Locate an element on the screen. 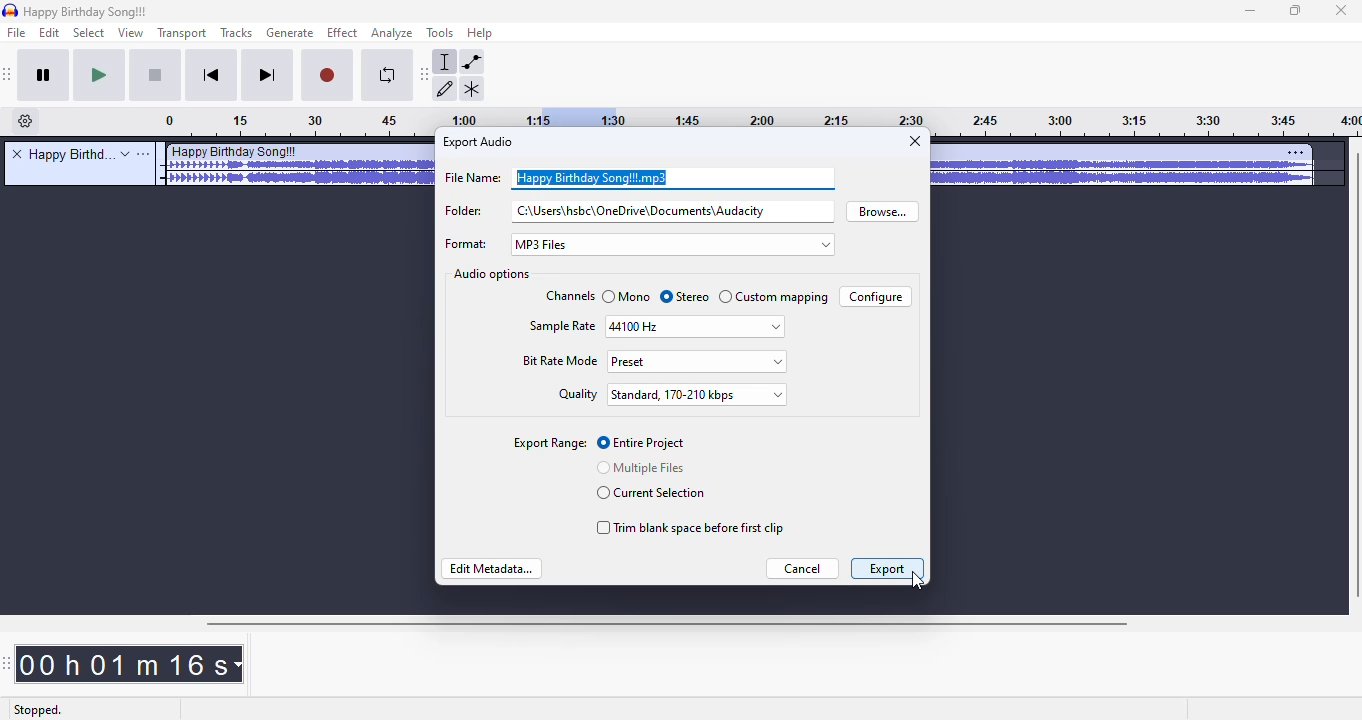 This screenshot has height=720, width=1362. play is located at coordinates (100, 76).